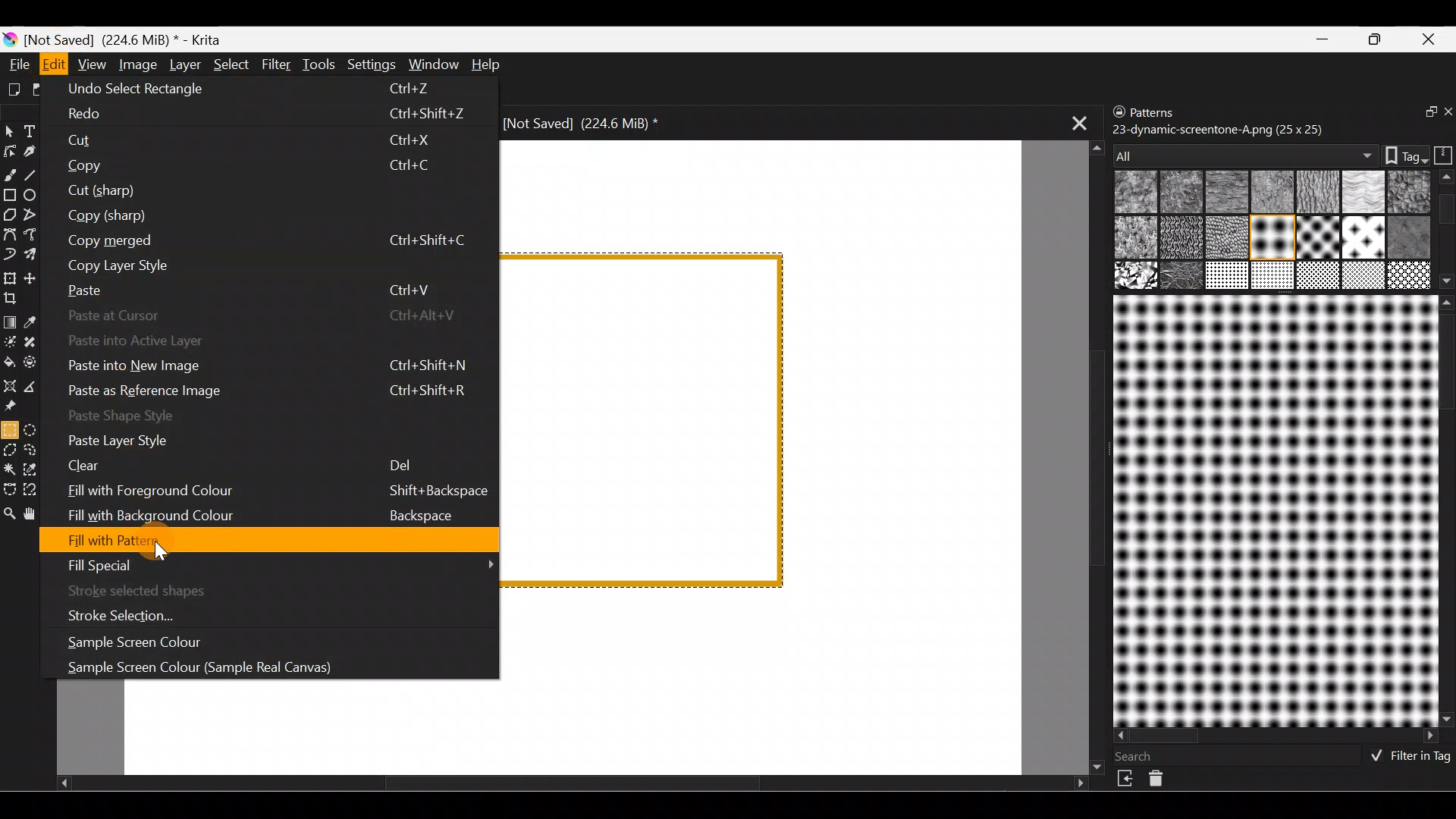 The image size is (1456, 819). I want to click on Copy layer style, so click(263, 263).